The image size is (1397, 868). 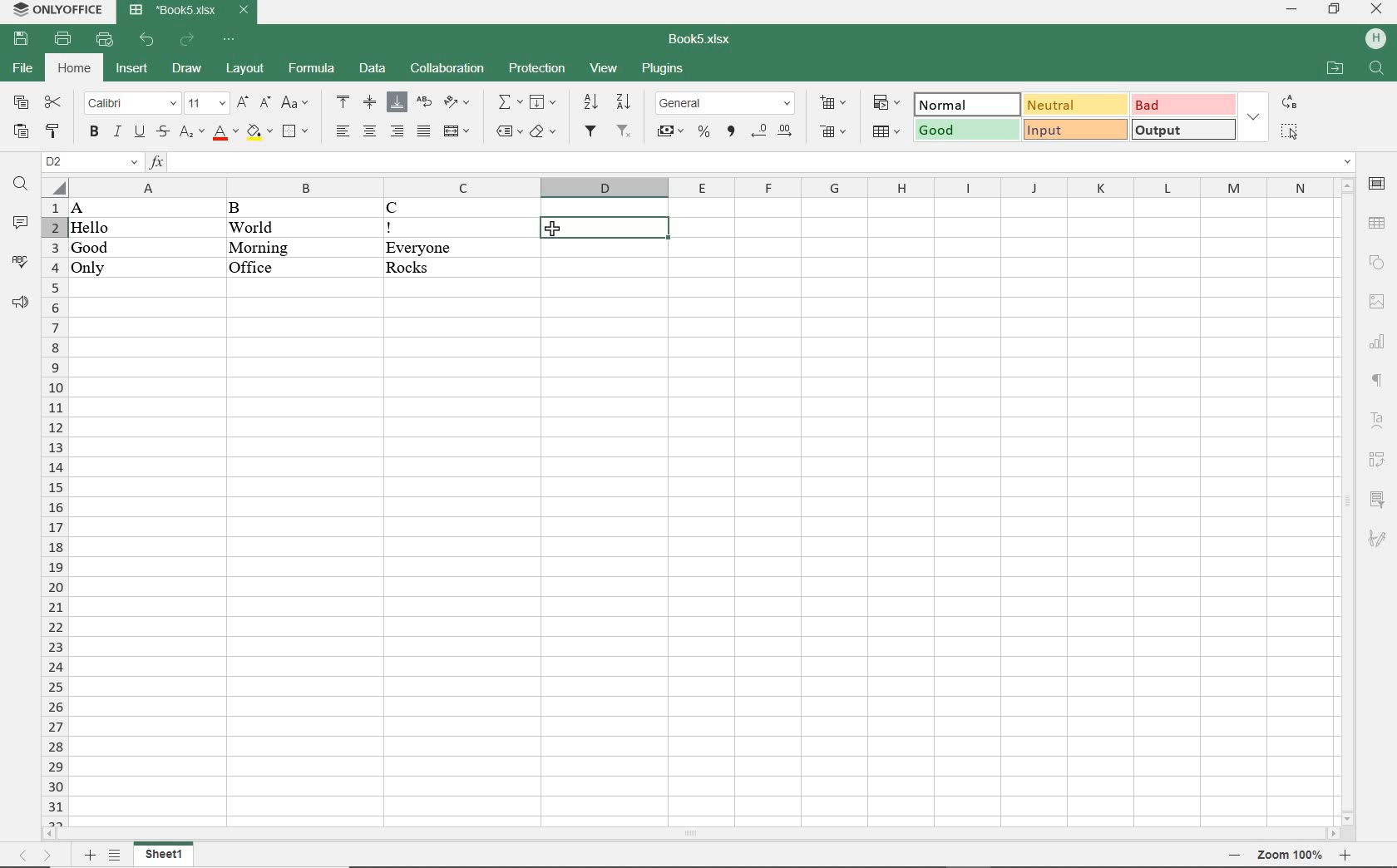 I want to click on zoom in, so click(x=1347, y=856).